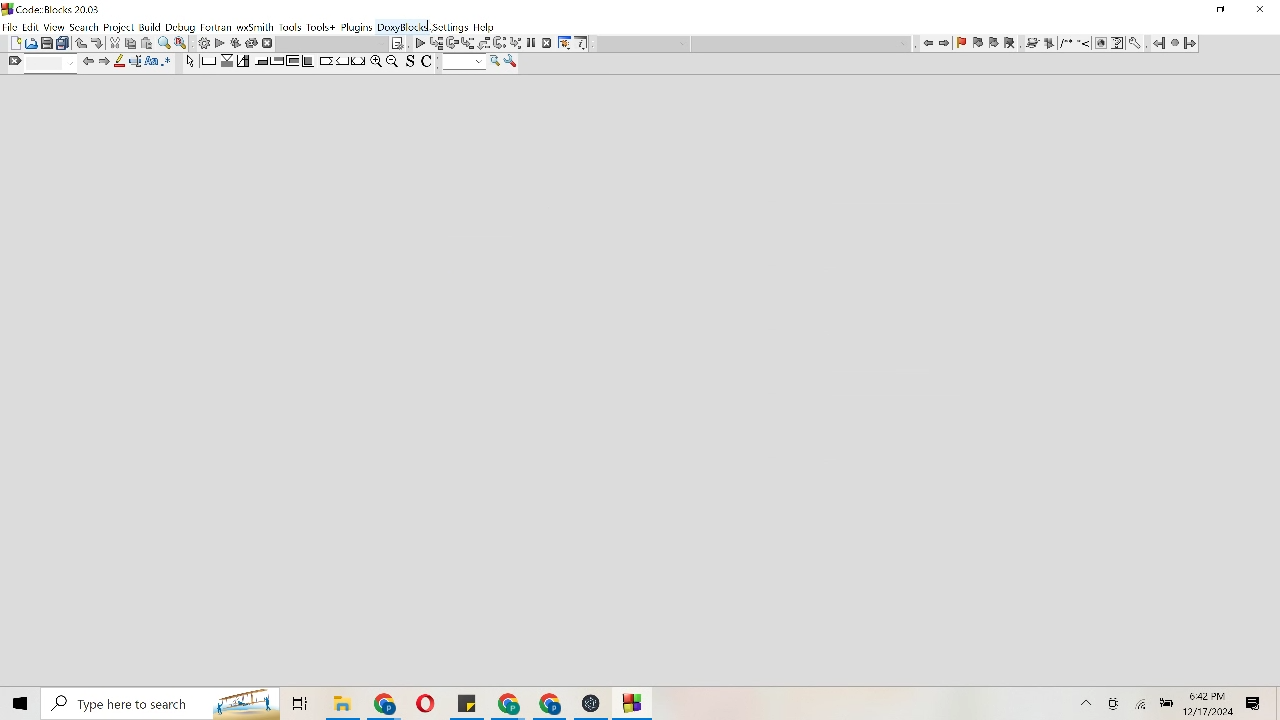 The width and height of the screenshot is (1280, 720). Describe the element at coordinates (564, 43) in the screenshot. I see `Tools` at that location.